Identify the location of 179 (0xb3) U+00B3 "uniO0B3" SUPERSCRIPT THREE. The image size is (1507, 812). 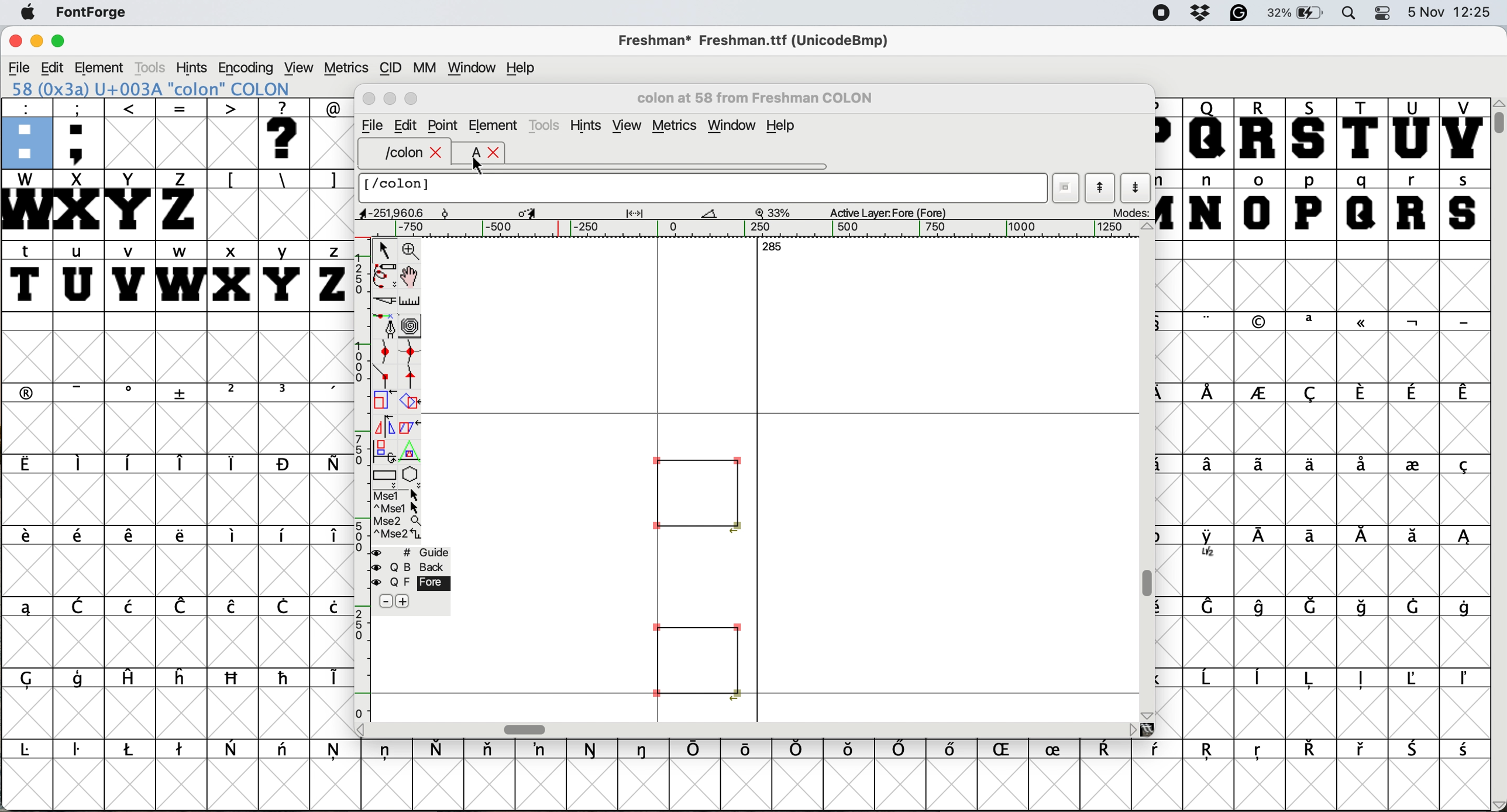
(178, 88).